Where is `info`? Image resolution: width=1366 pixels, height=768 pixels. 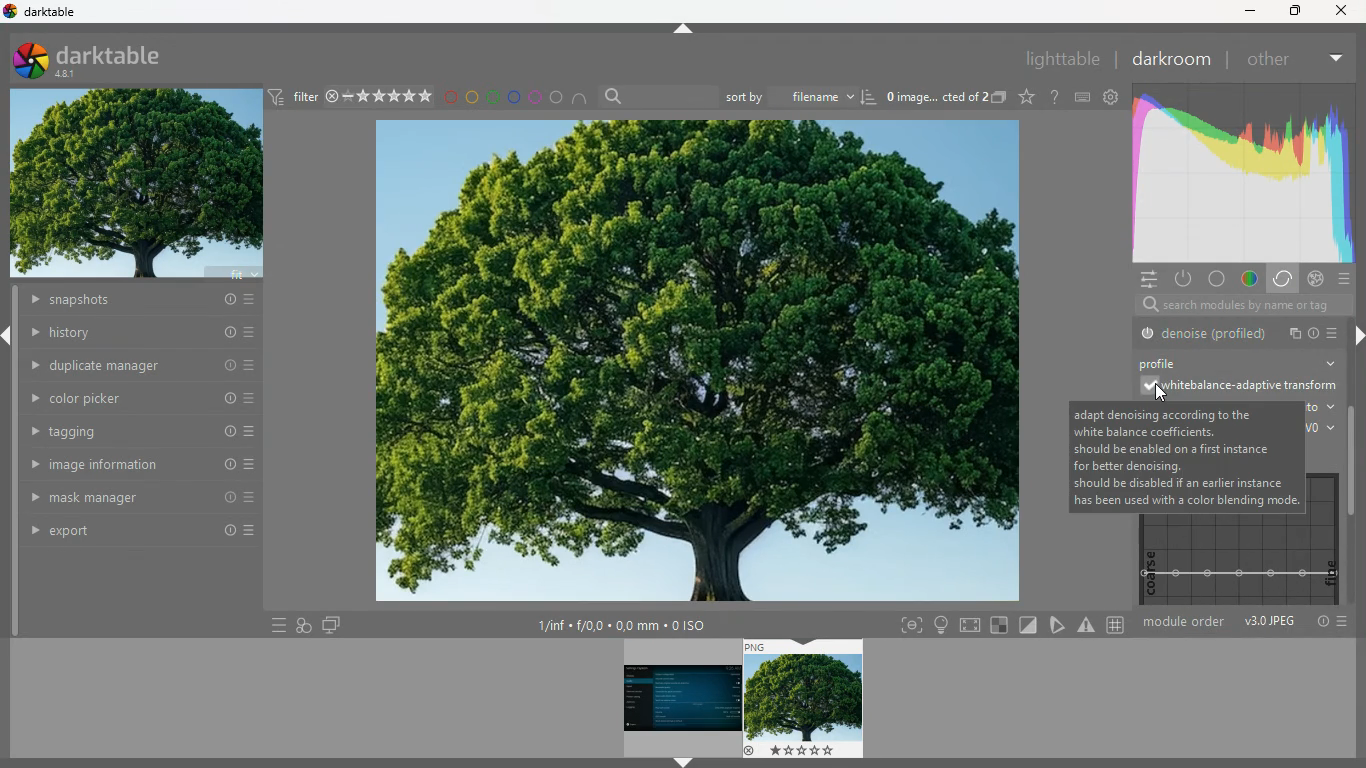
info is located at coordinates (1322, 622).